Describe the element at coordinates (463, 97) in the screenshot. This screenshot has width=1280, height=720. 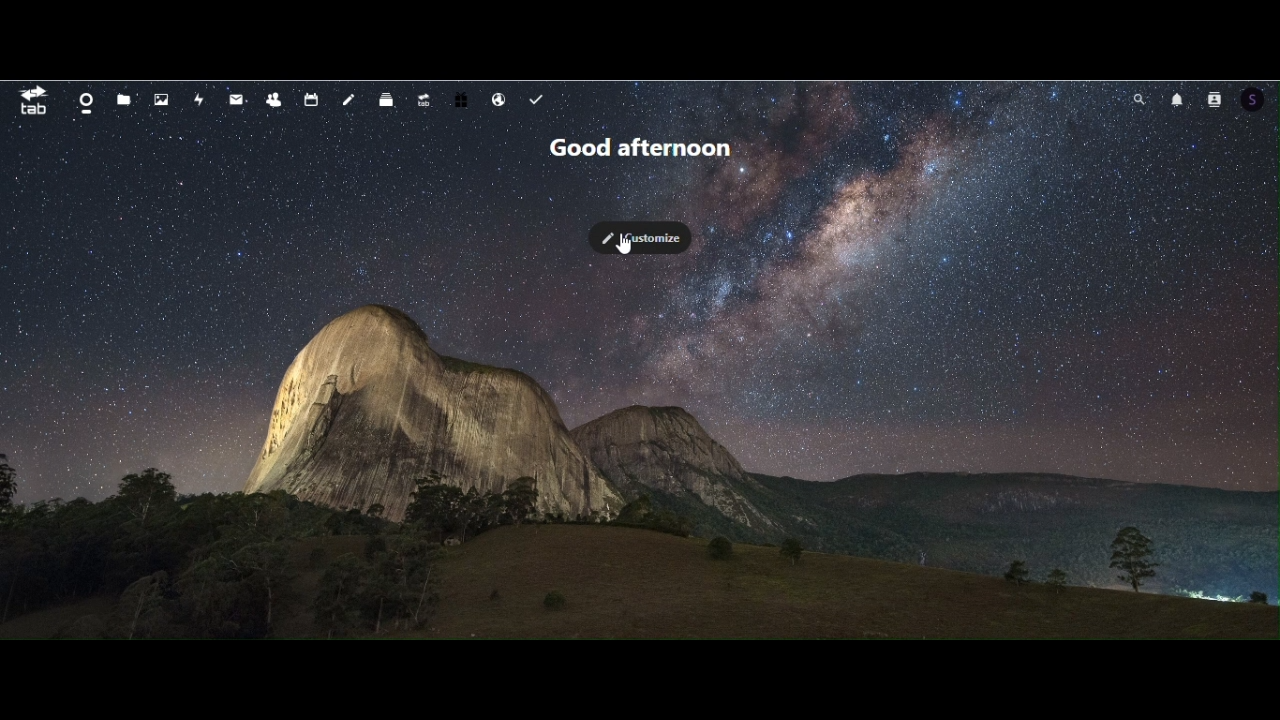
I see `free trail` at that location.